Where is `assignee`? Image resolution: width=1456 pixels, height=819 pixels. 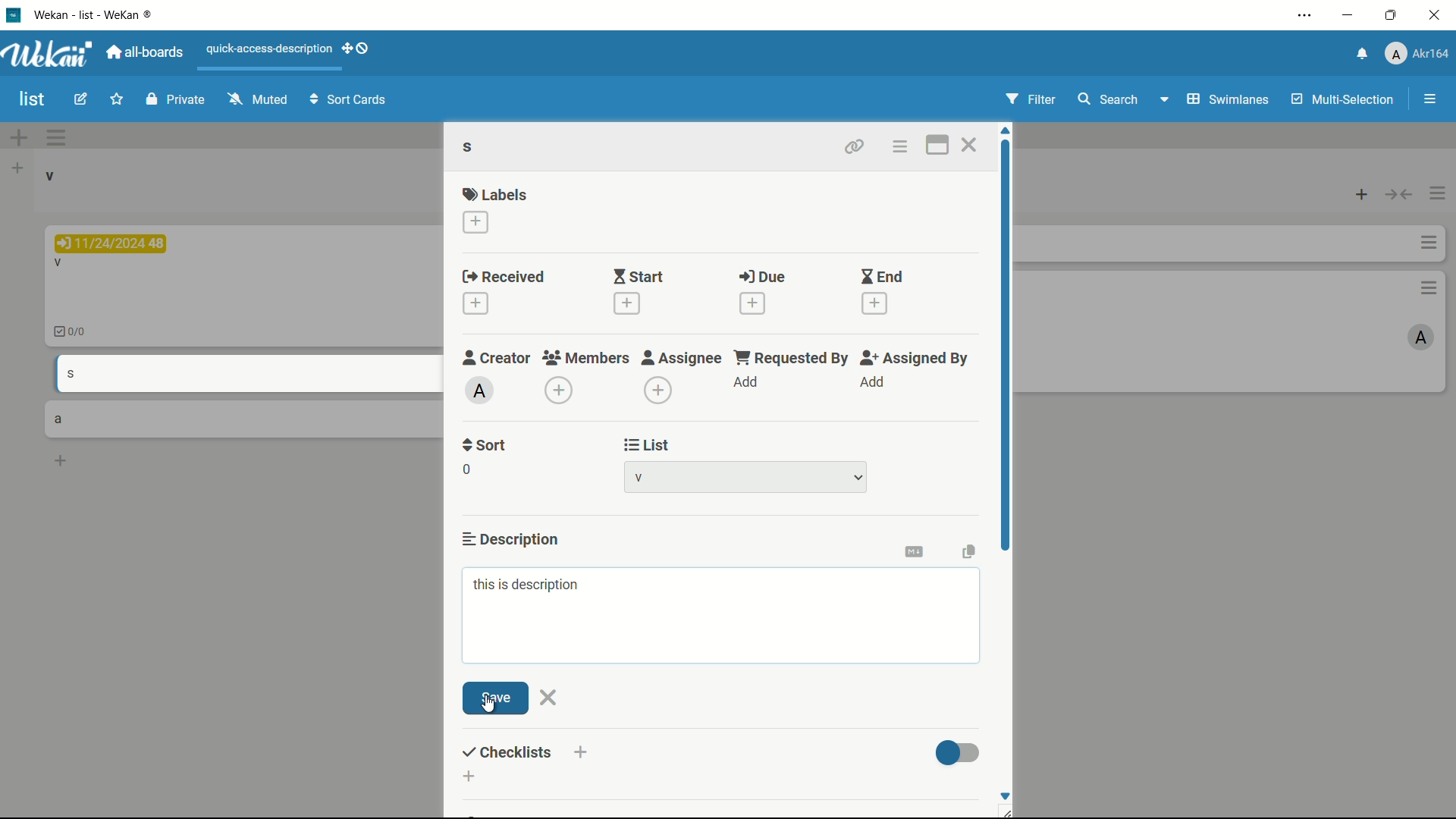
assignee is located at coordinates (682, 359).